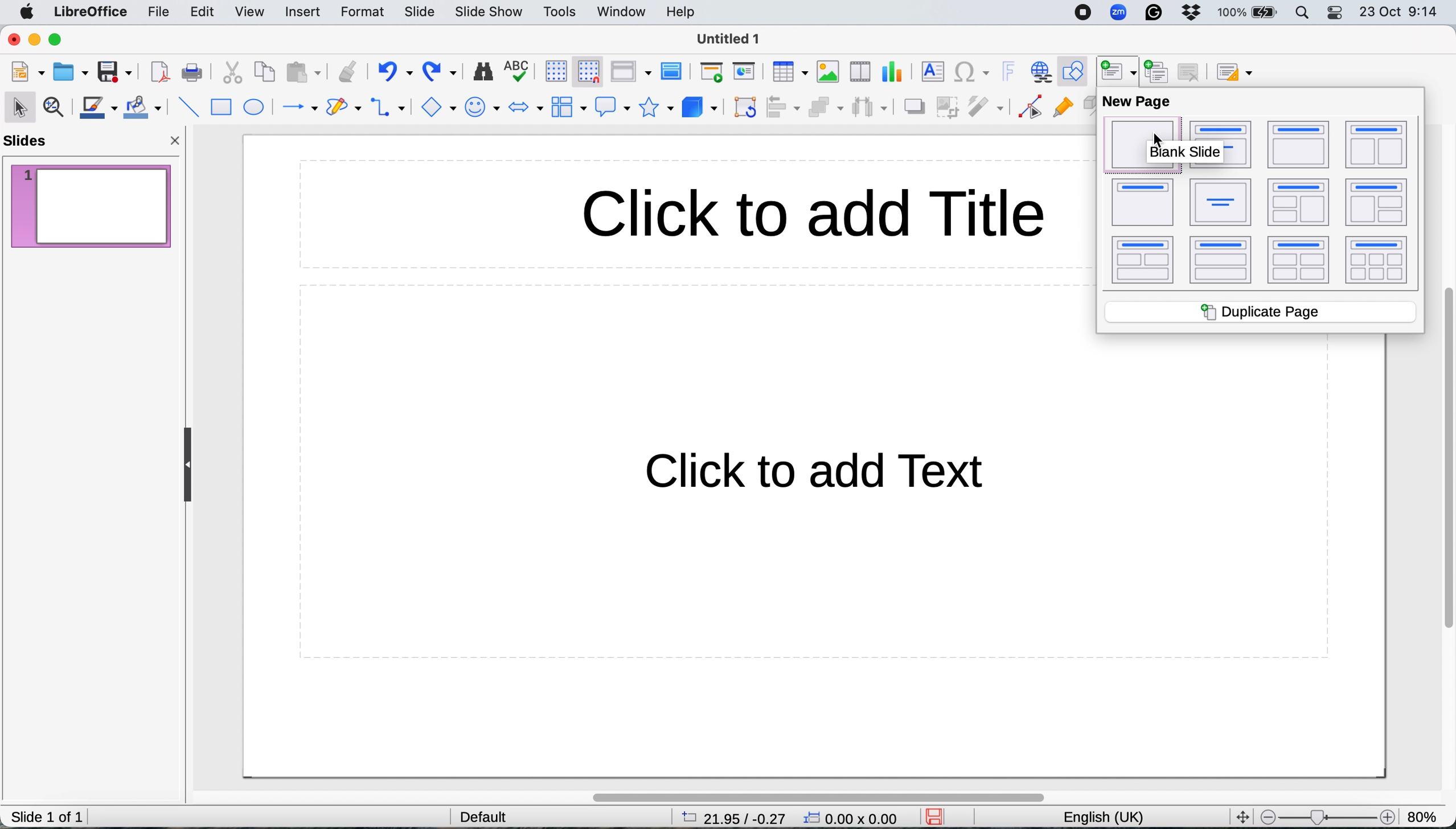  Describe the element at coordinates (1031, 108) in the screenshot. I see `toggle point edit mode` at that location.